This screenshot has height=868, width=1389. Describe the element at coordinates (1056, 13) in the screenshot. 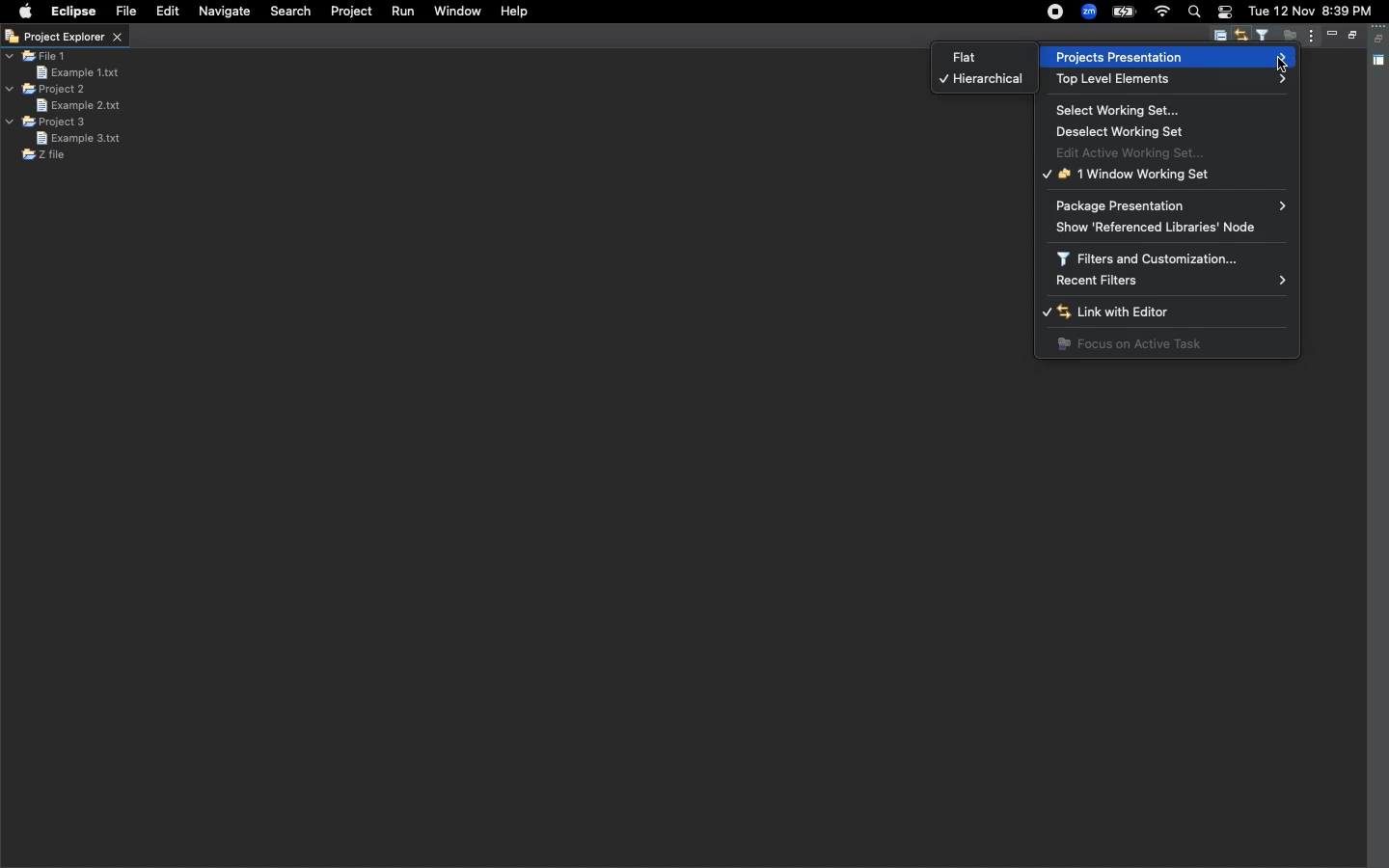

I see `Recording` at that location.